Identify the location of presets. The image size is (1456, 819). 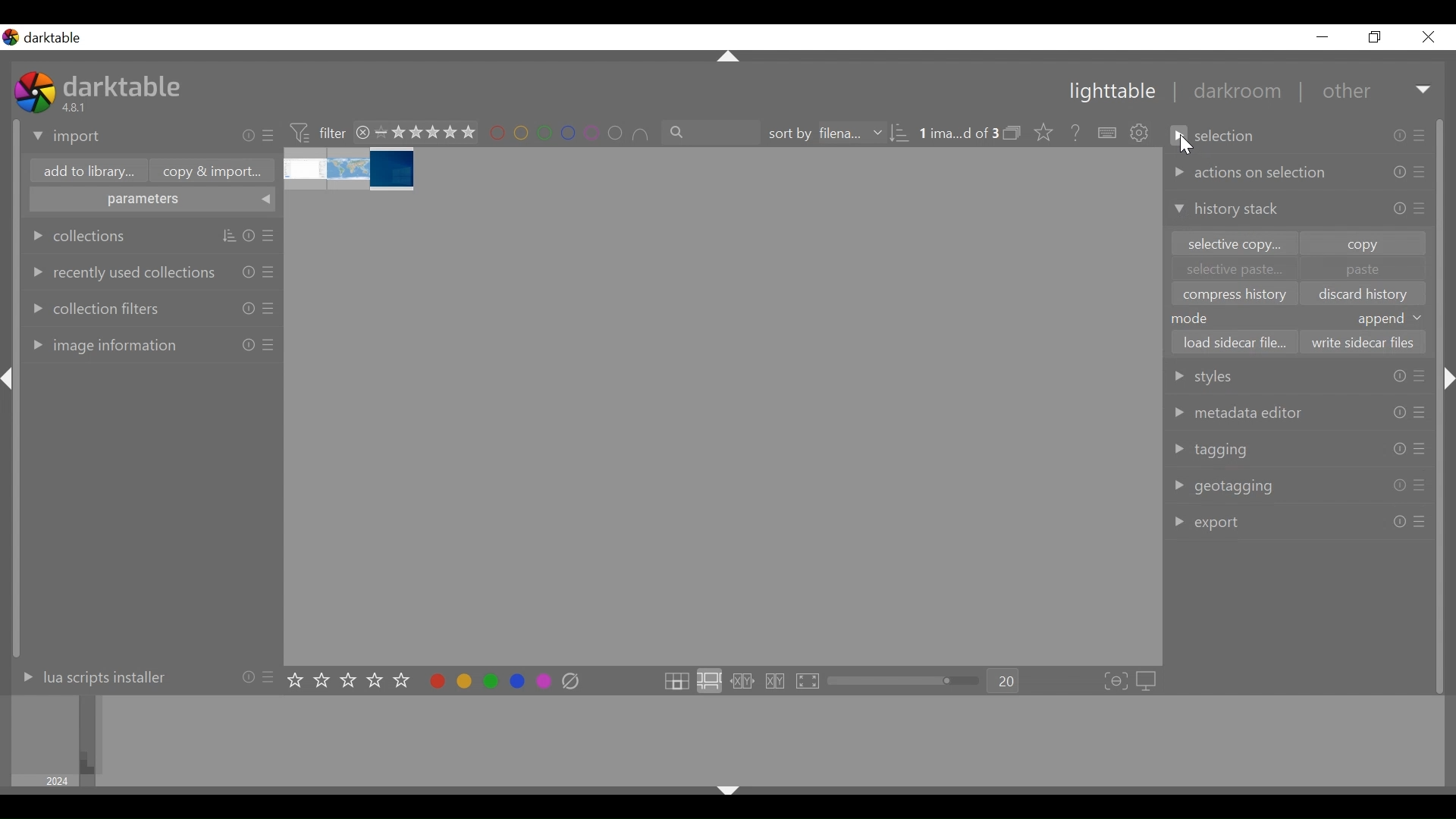
(1422, 134).